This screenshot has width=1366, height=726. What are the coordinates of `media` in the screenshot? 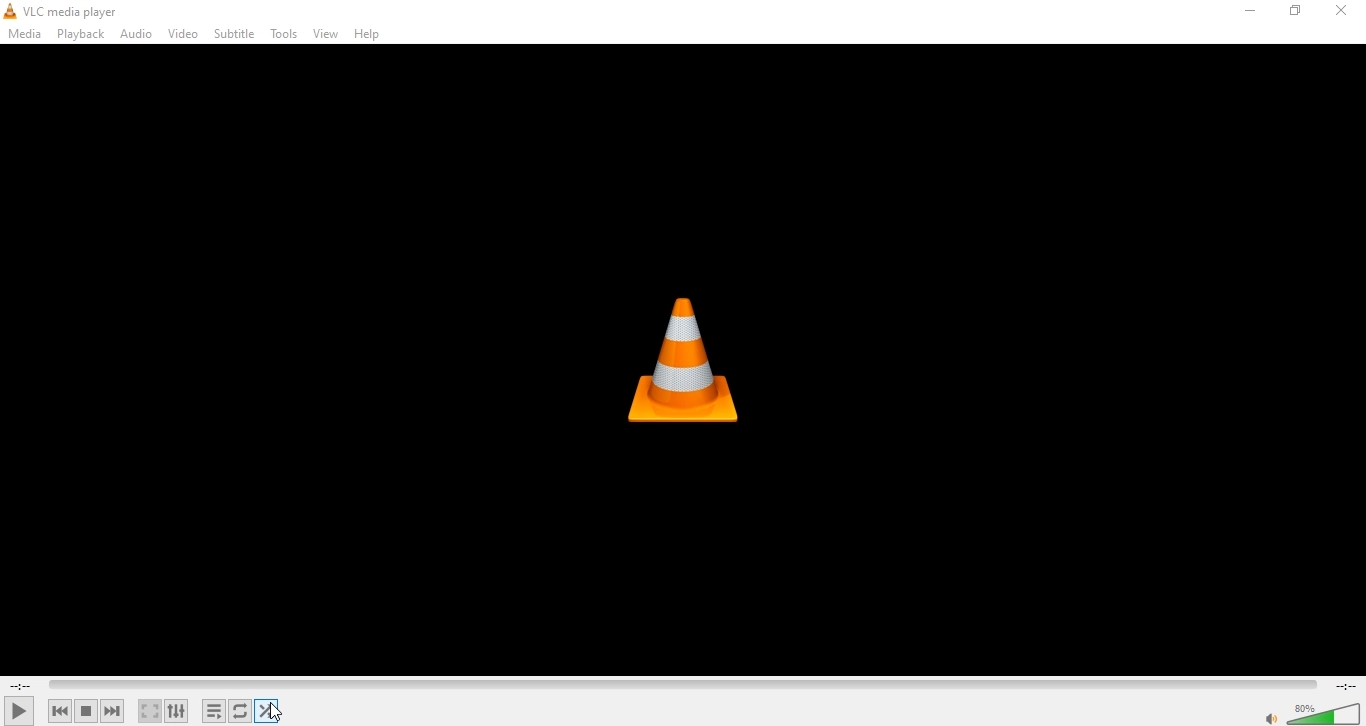 It's located at (25, 34).